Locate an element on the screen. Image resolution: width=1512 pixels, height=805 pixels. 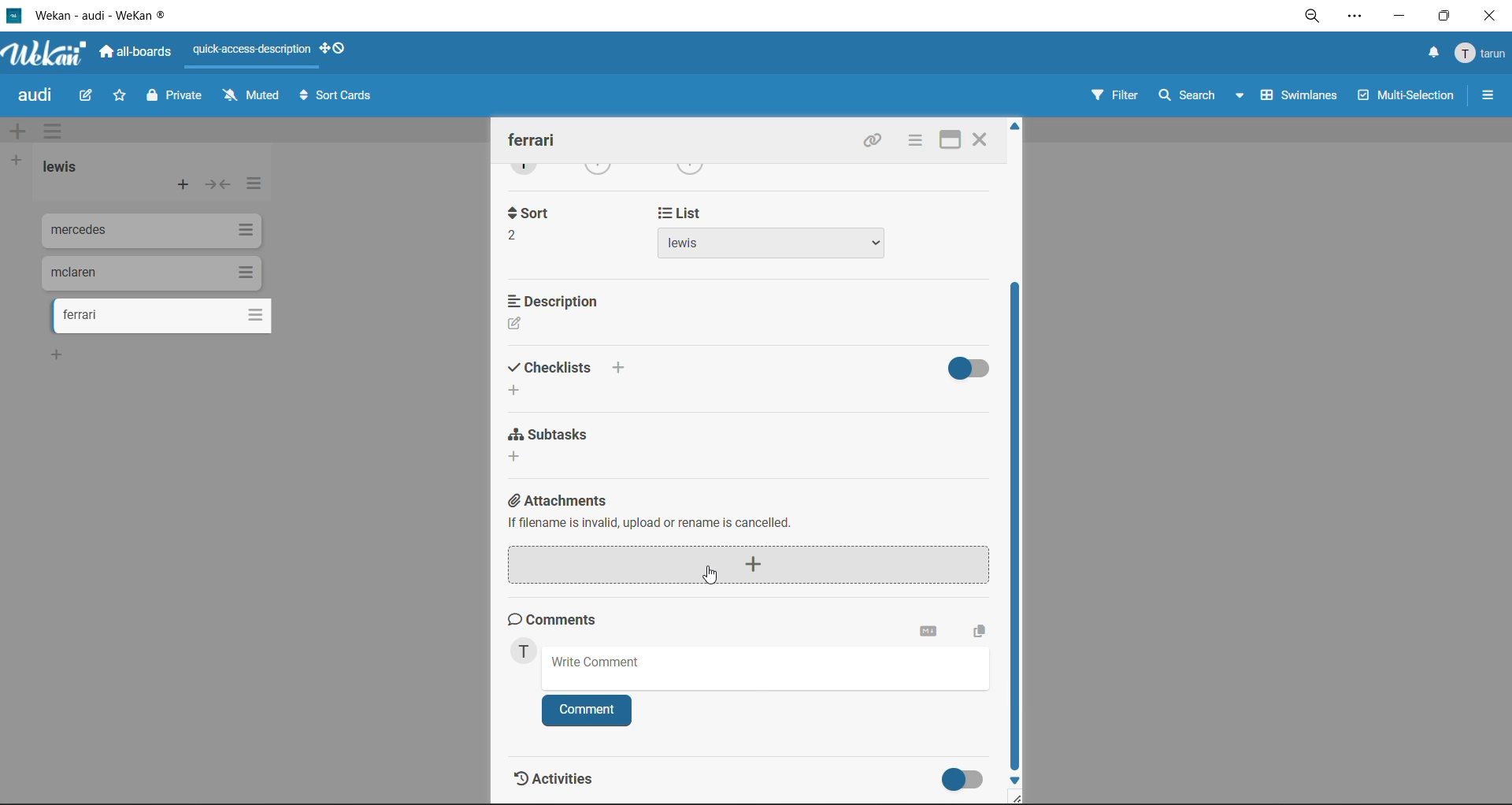
edit is located at coordinates (90, 96).